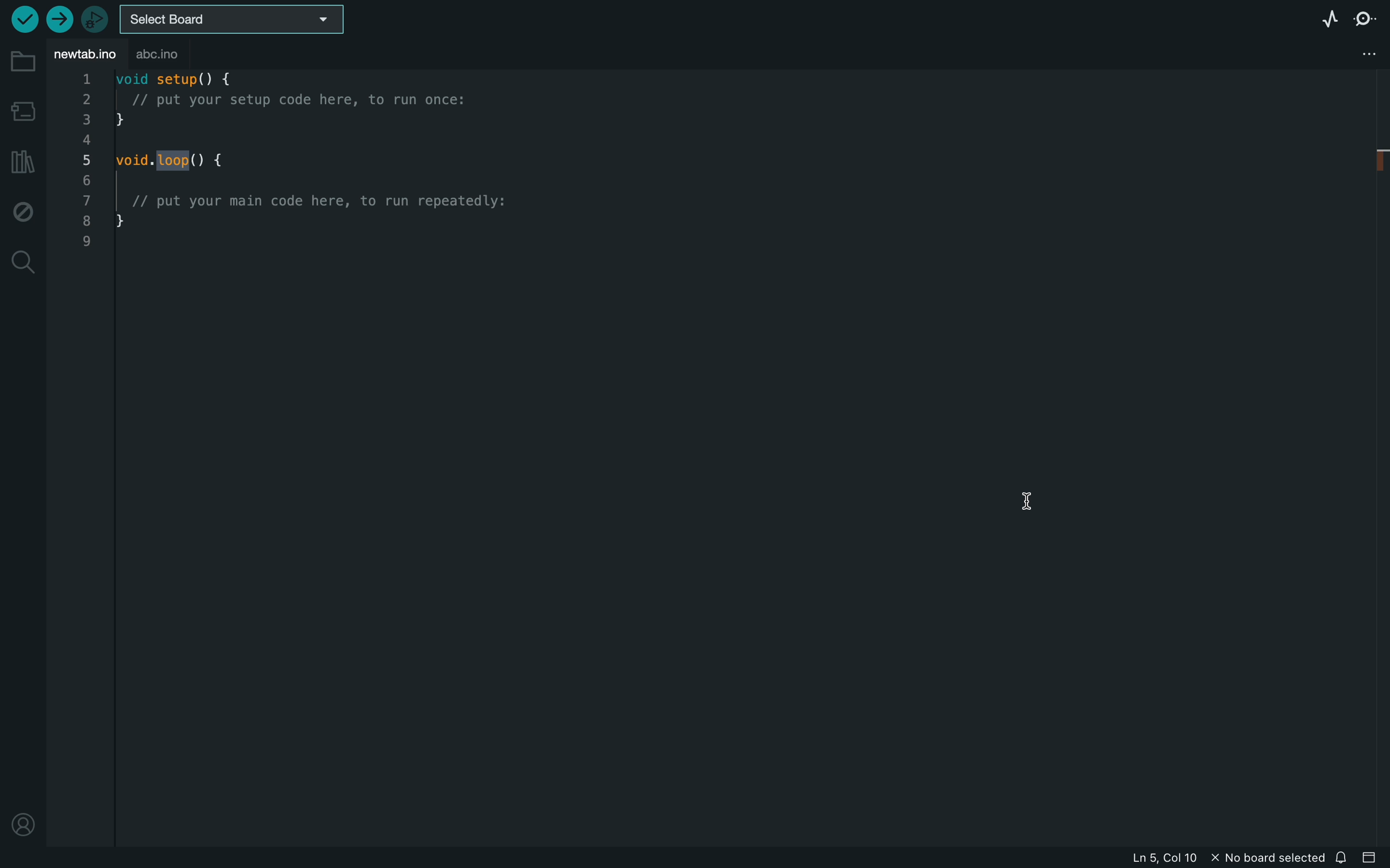 This screenshot has width=1390, height=868. I want to click on debugger, so click(95, 18).